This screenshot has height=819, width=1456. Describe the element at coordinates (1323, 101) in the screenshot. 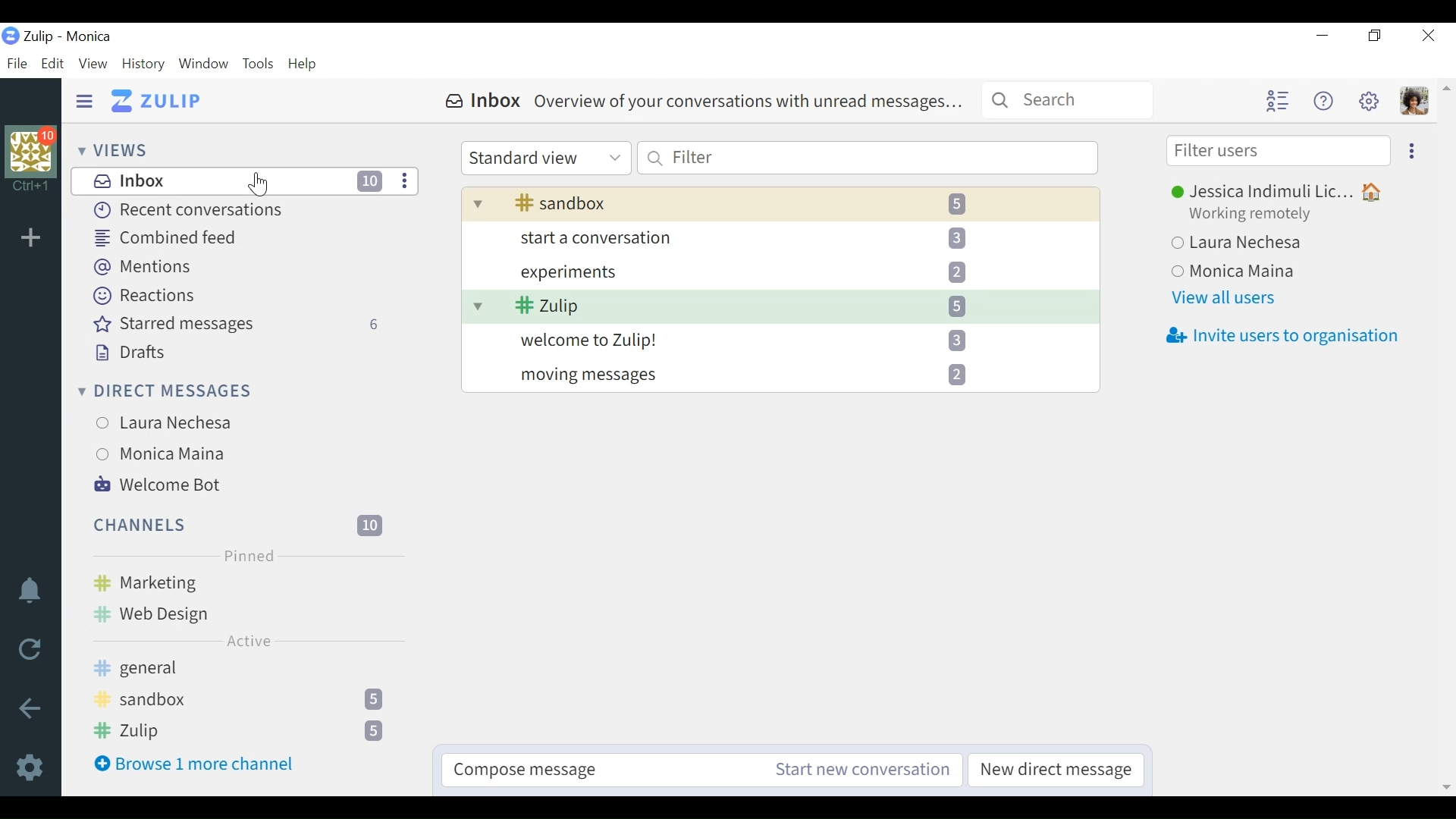

I see `Help menu` at that location.